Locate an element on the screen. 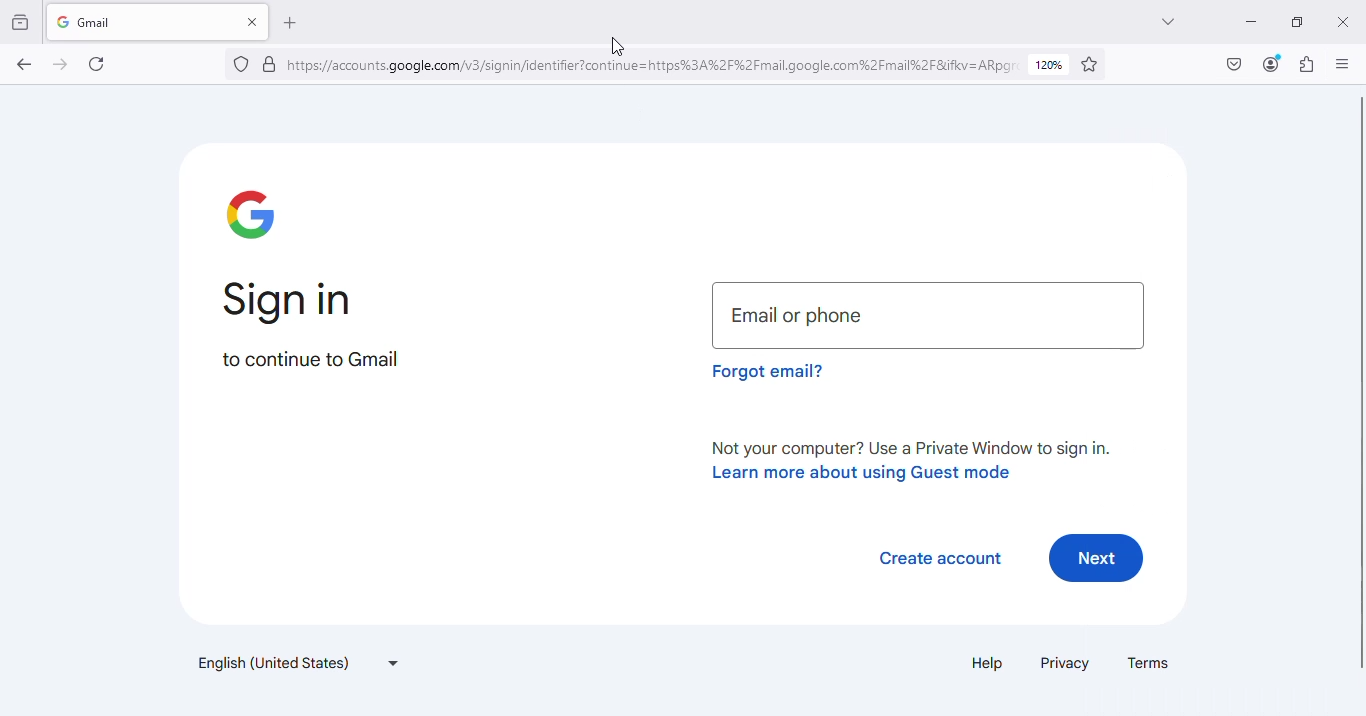  go forward one page is located at coordinates (61, 65).